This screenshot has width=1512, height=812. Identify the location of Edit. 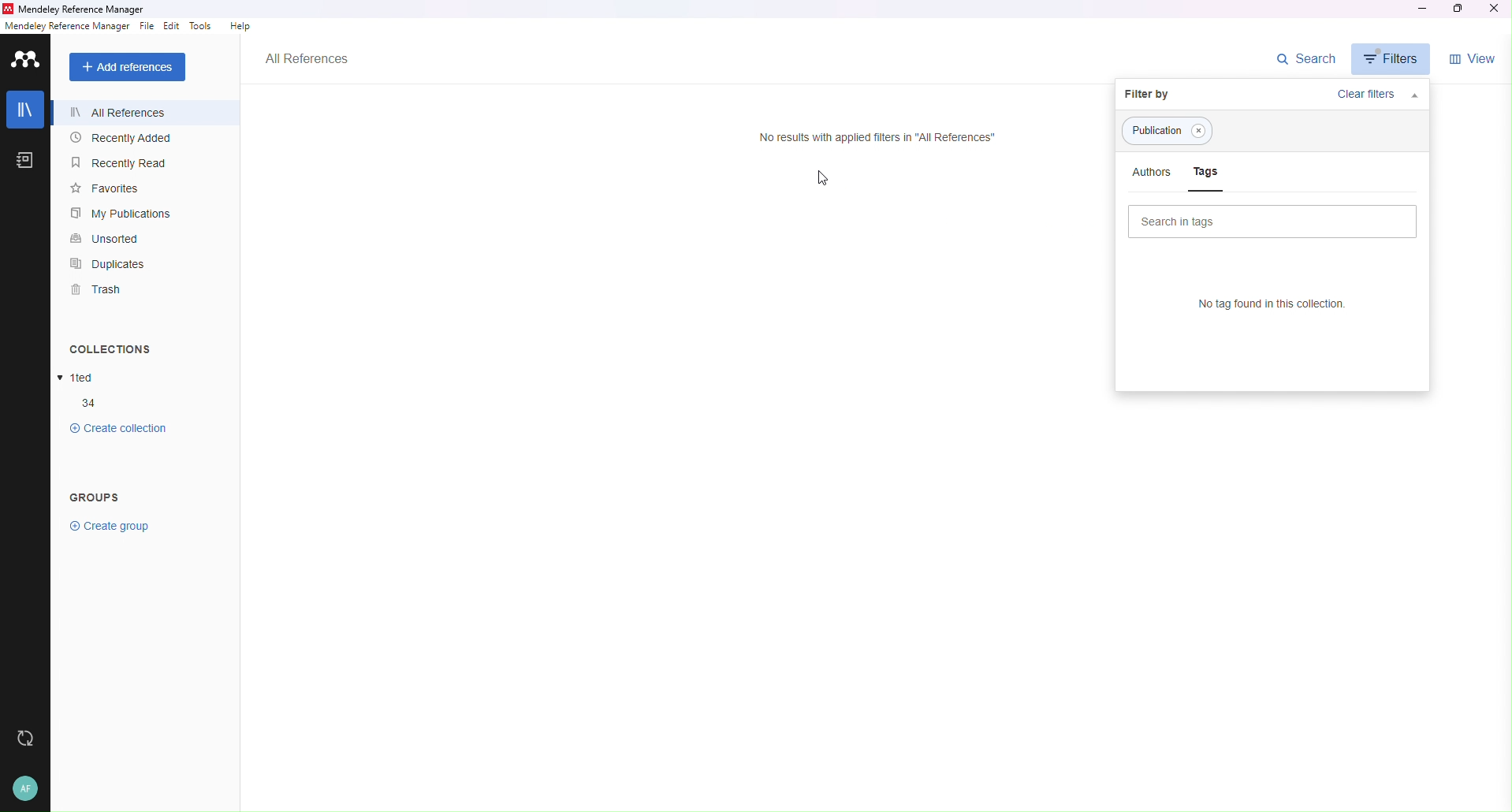
(171, 26).